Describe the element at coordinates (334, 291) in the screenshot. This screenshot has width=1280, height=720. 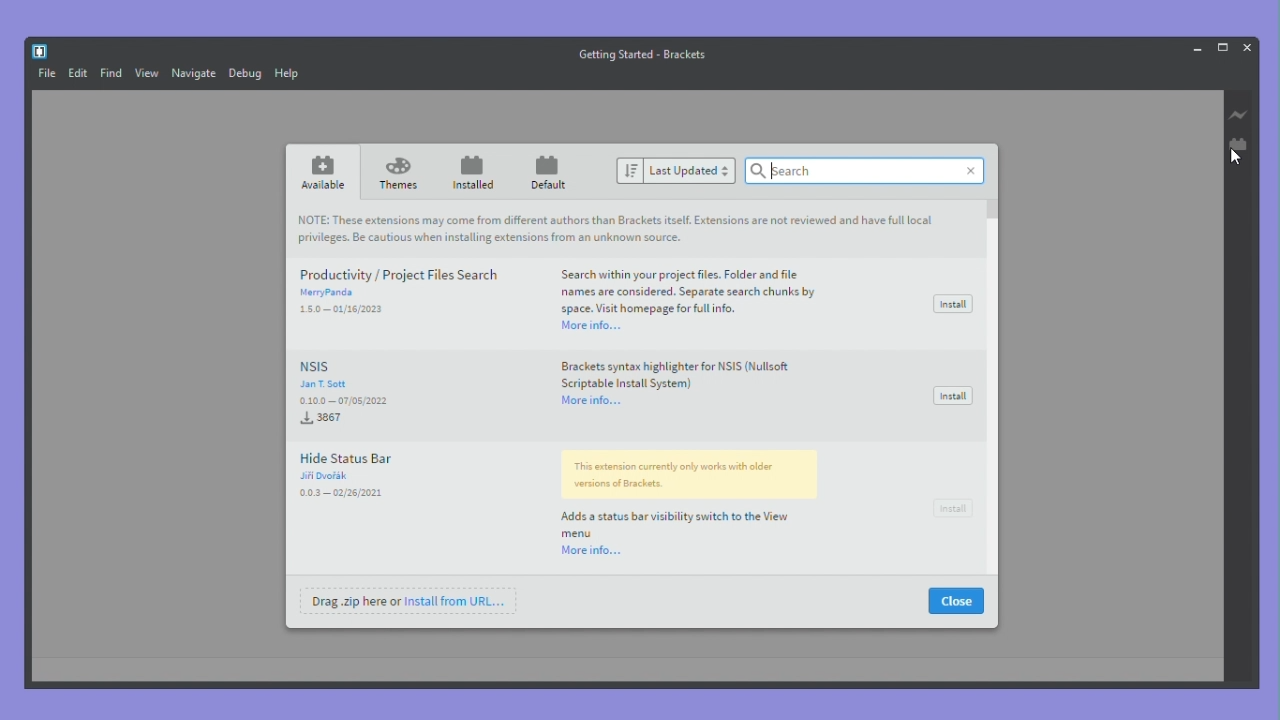
I see `MerryPanda` at that location.